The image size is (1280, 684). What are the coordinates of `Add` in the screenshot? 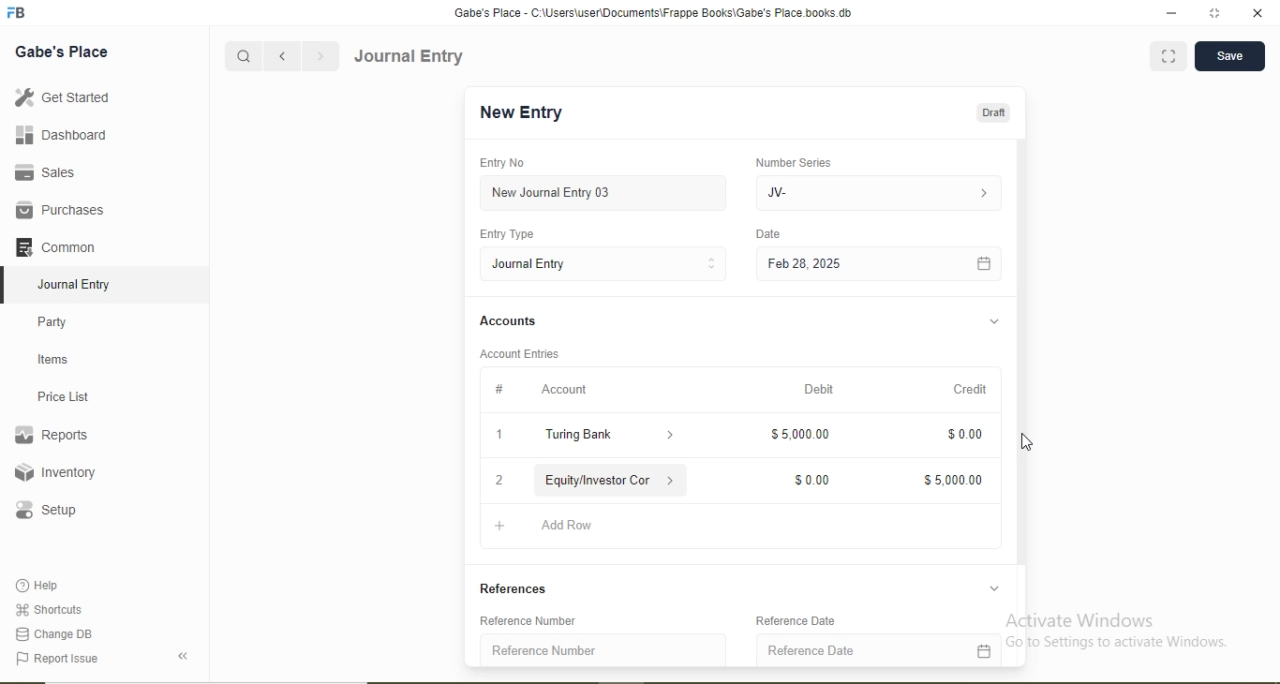 It's located at (500, 526).